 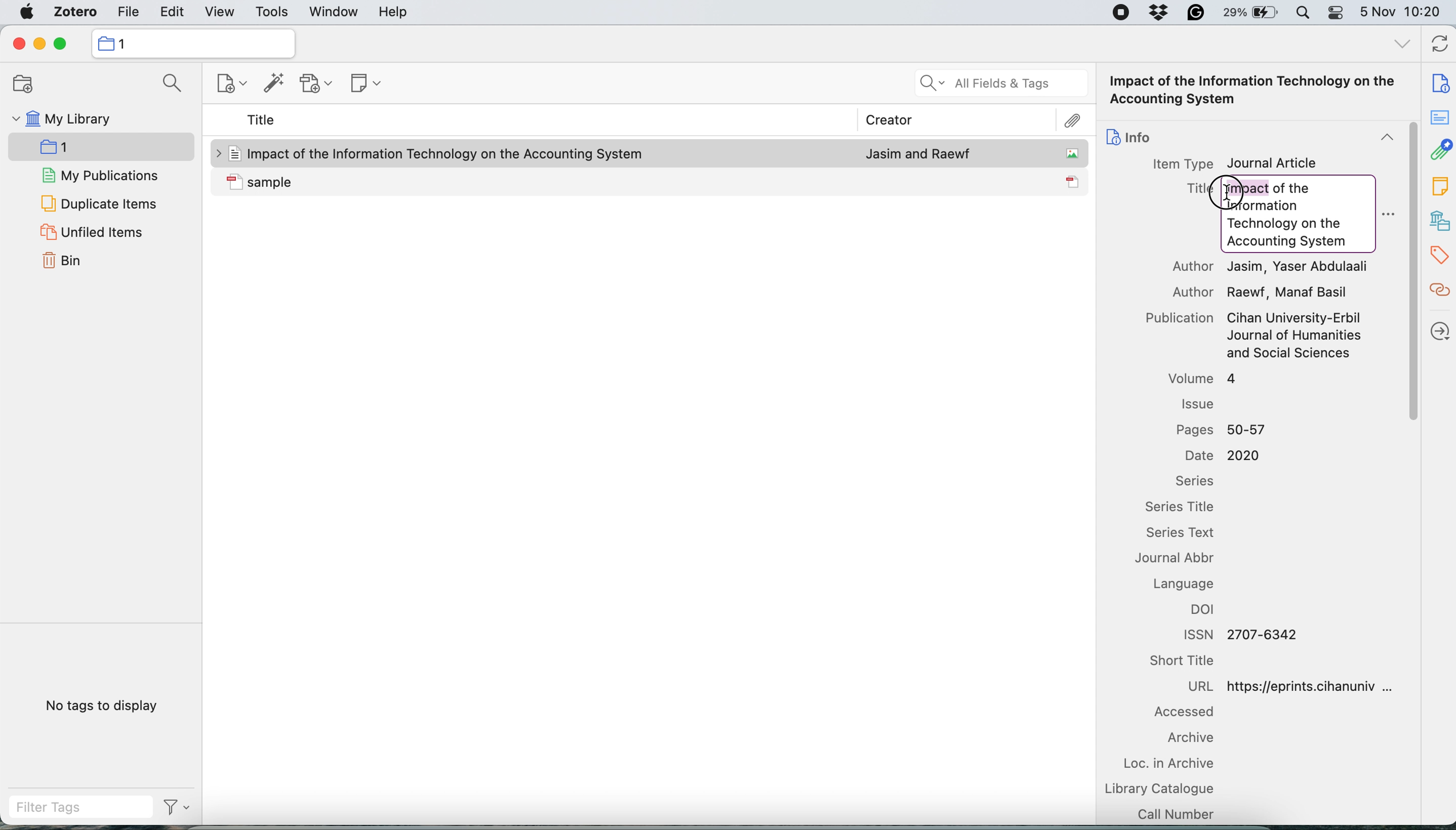 What do you see at coordinates (1179, 813) in the screenshot?
I see `call number` at bounding box center [1179, 813].